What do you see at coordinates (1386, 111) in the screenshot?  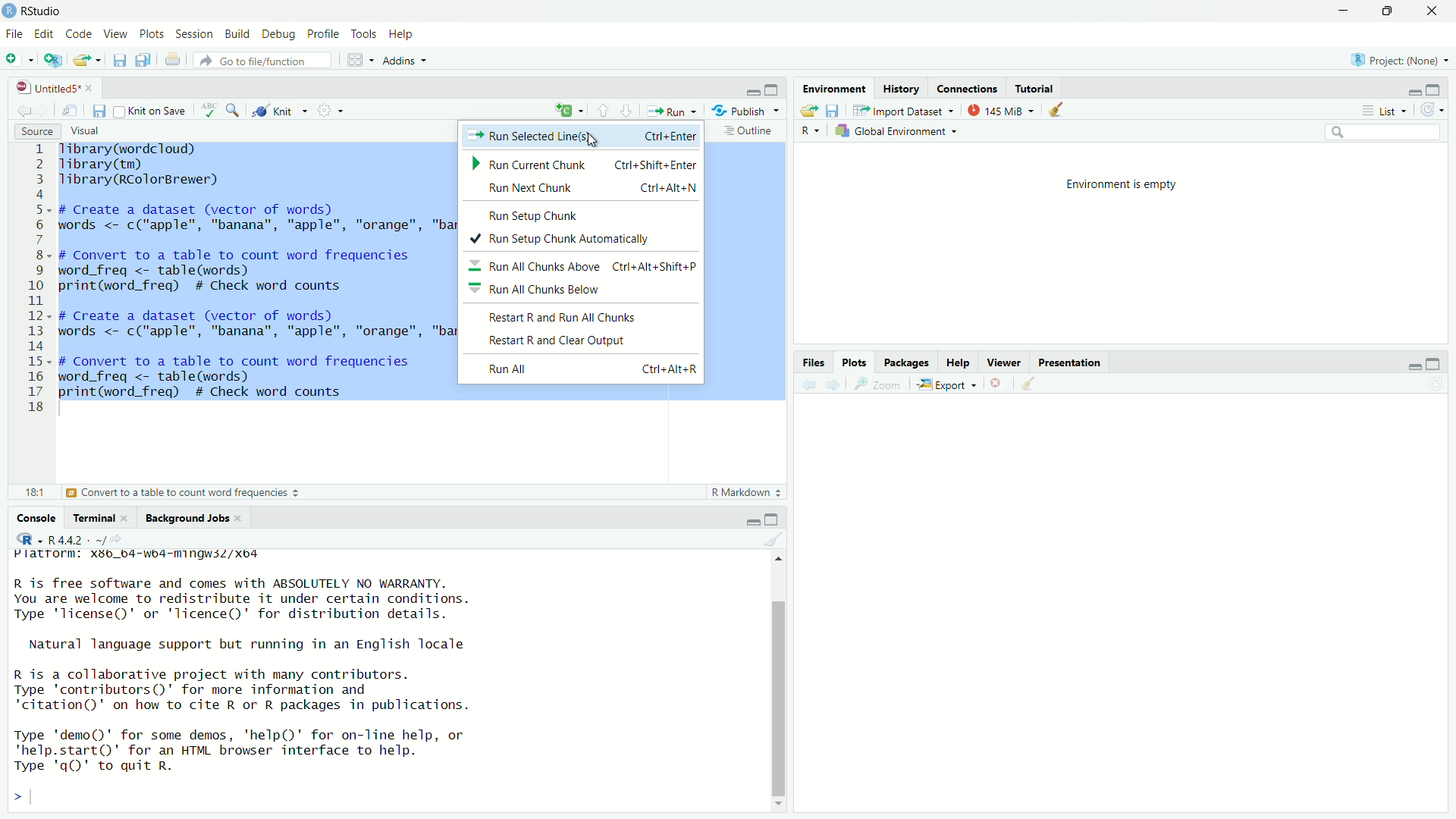 I see `List` at bounding box center [1386, 111].